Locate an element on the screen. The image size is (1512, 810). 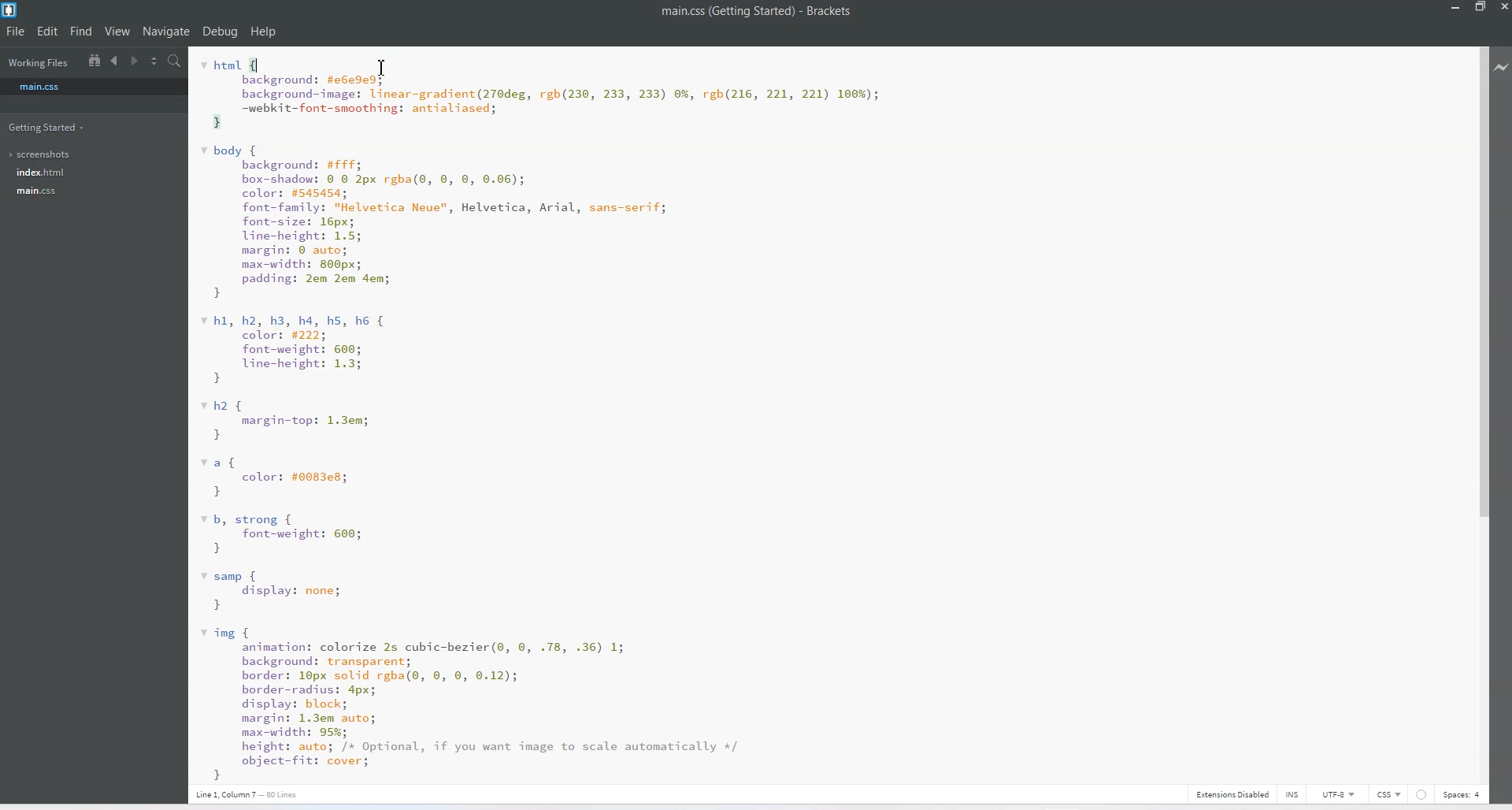
Edit is located at coordinates (48, 32).